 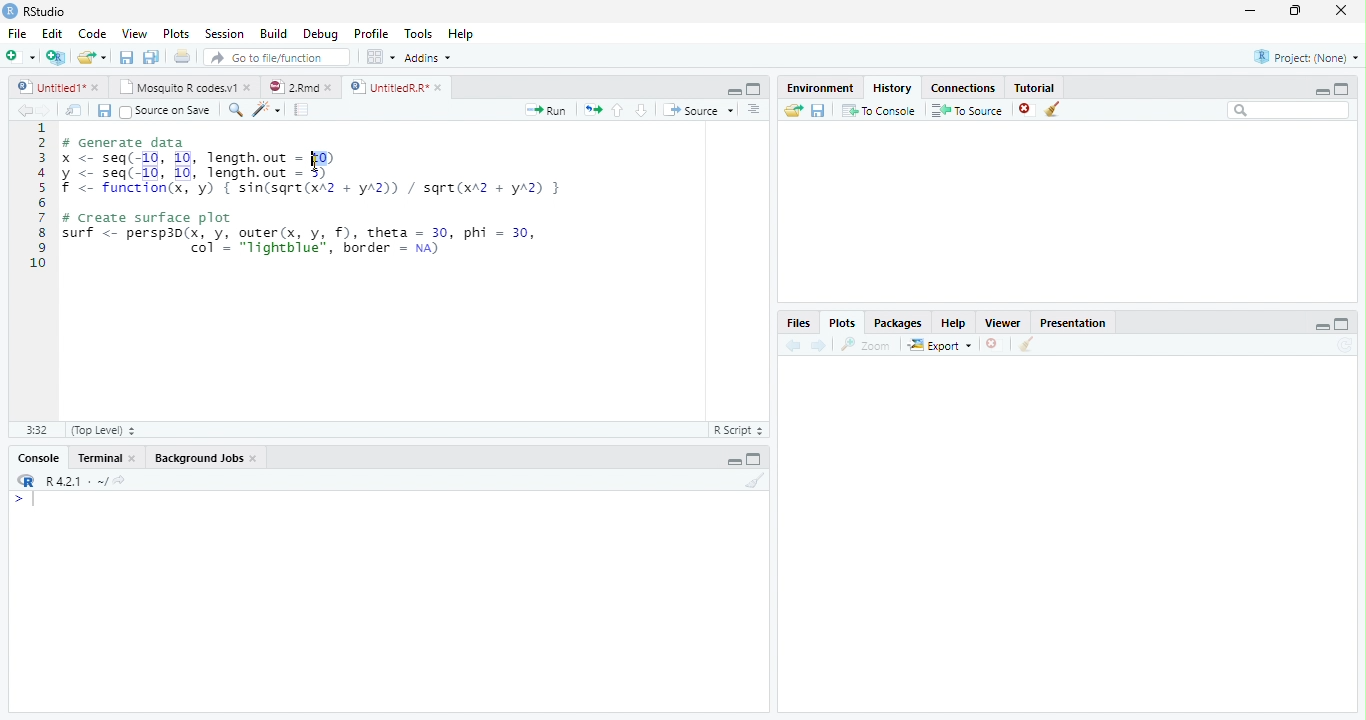 What do you see at coordinates (963, 87) in the screenshot?
I see `Connections` at bounding box center [963, 87].